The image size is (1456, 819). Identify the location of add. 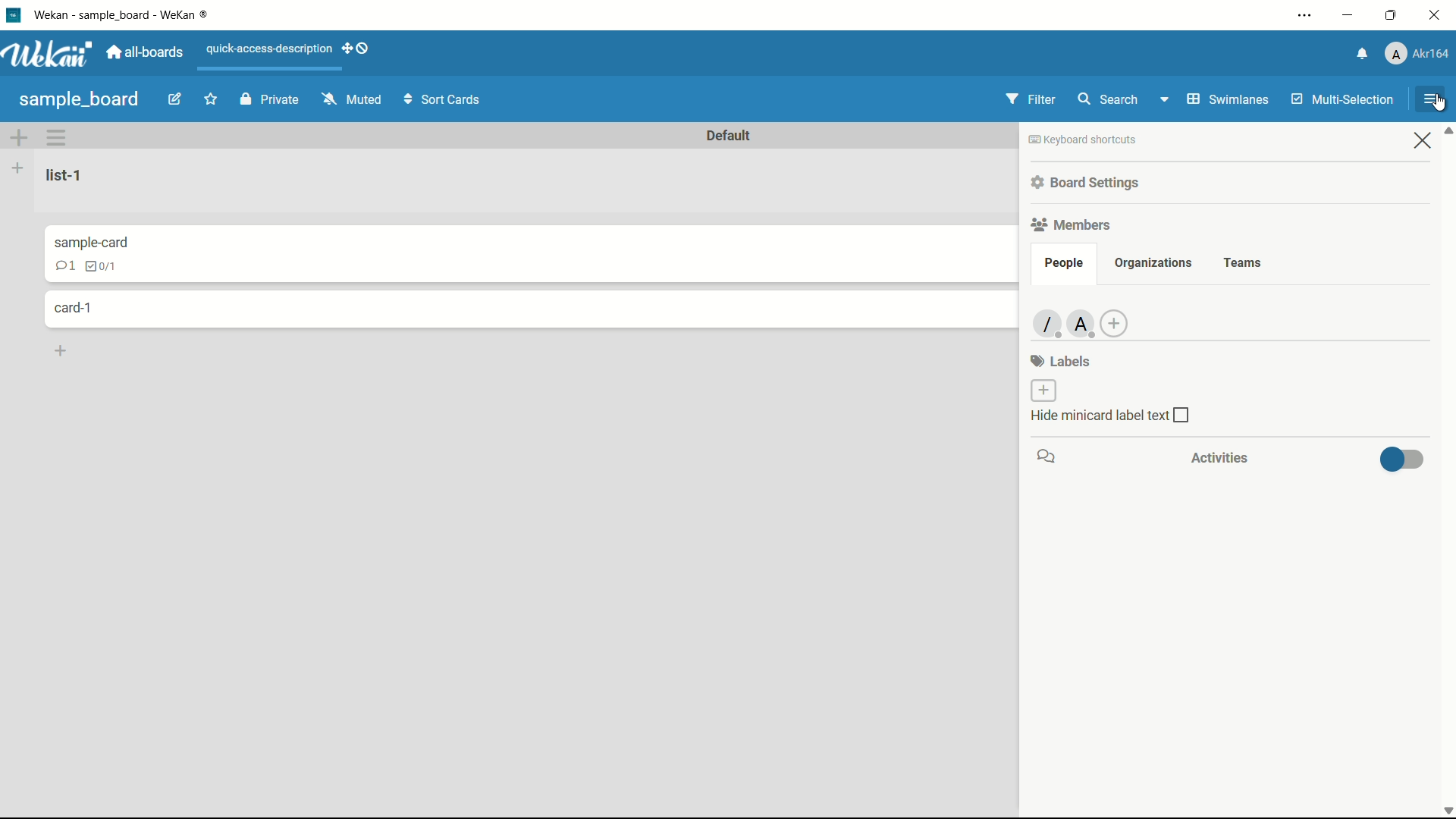
(22, 140).